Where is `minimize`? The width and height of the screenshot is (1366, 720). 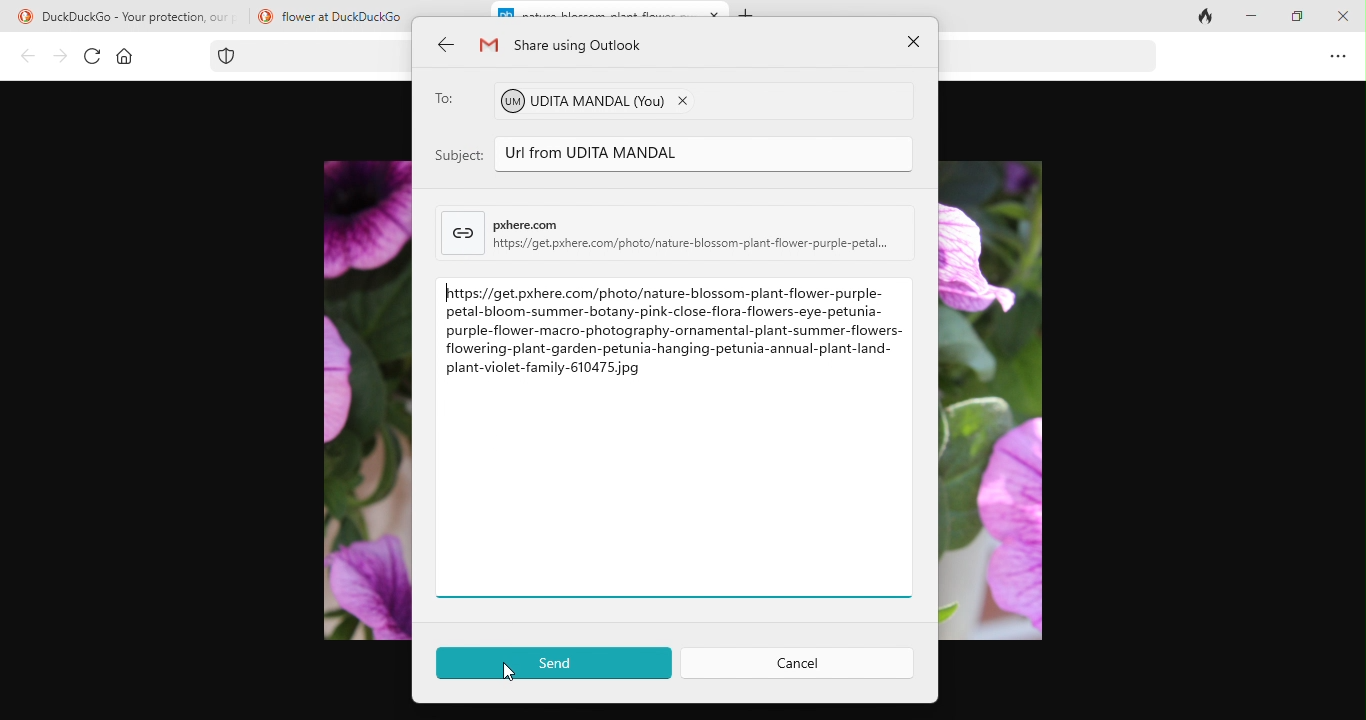
minimize is located at coordinates (1251, 17).